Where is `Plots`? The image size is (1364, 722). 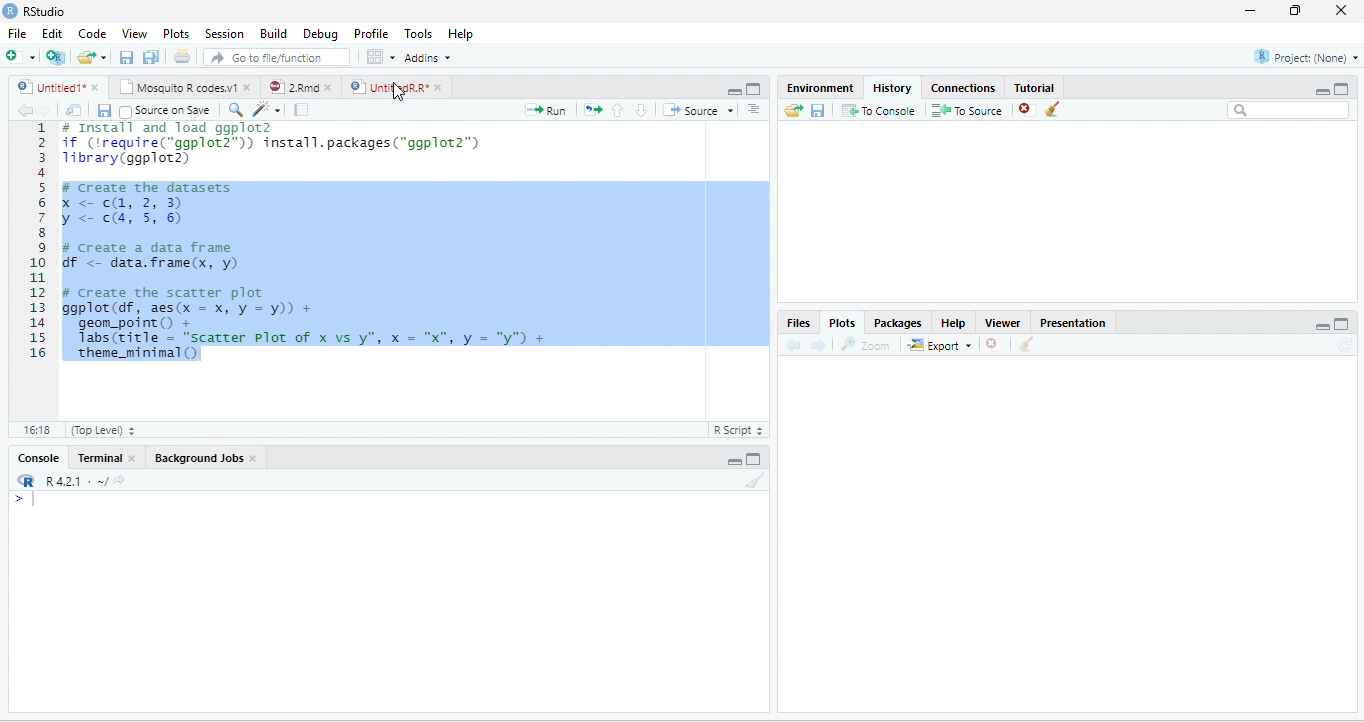
Plots is located at coordinates (176, 33).